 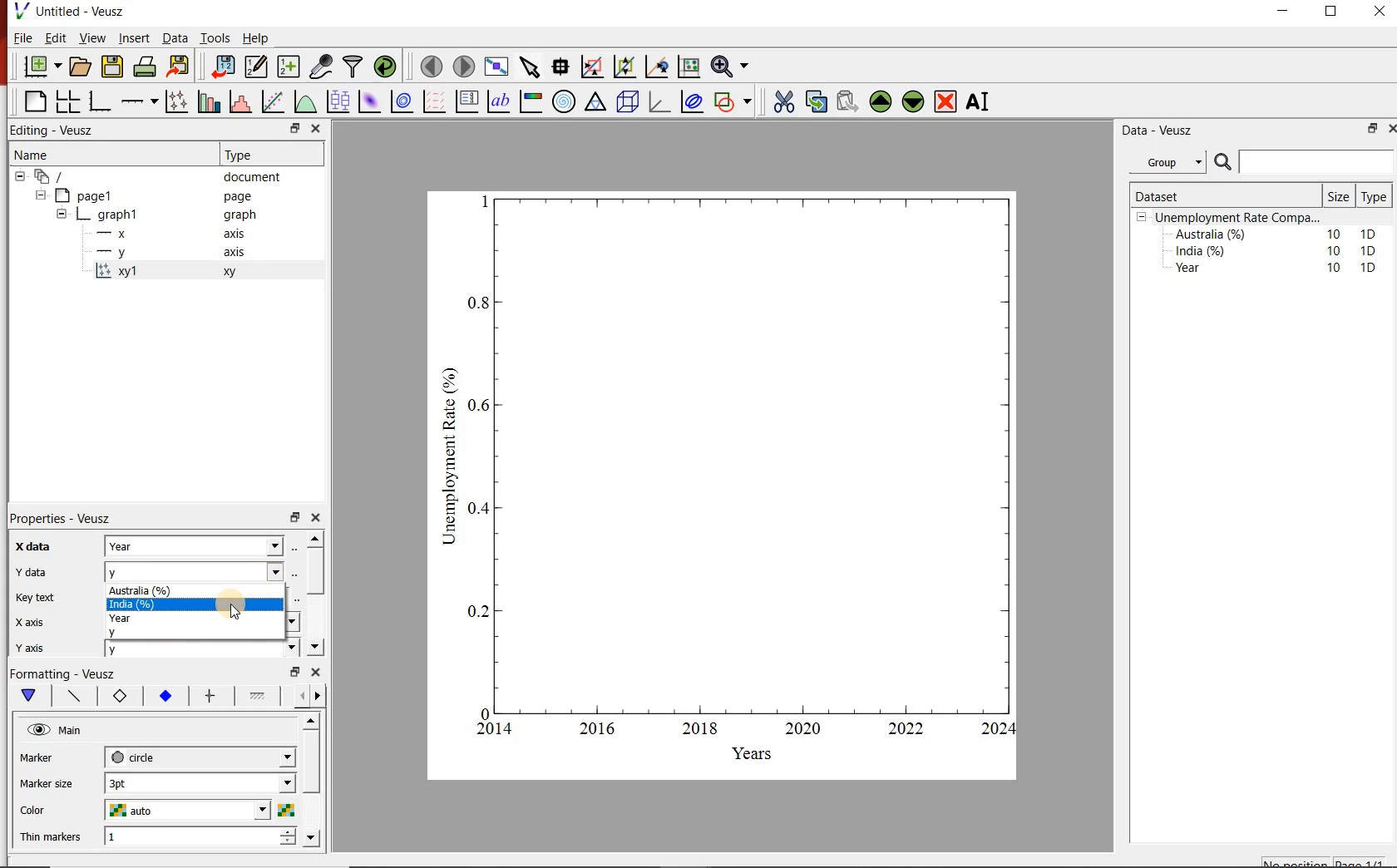 What do you see at coordinates (138, 101) in the screenshot?
I see `add an axis` at bounding box center [138, 101].